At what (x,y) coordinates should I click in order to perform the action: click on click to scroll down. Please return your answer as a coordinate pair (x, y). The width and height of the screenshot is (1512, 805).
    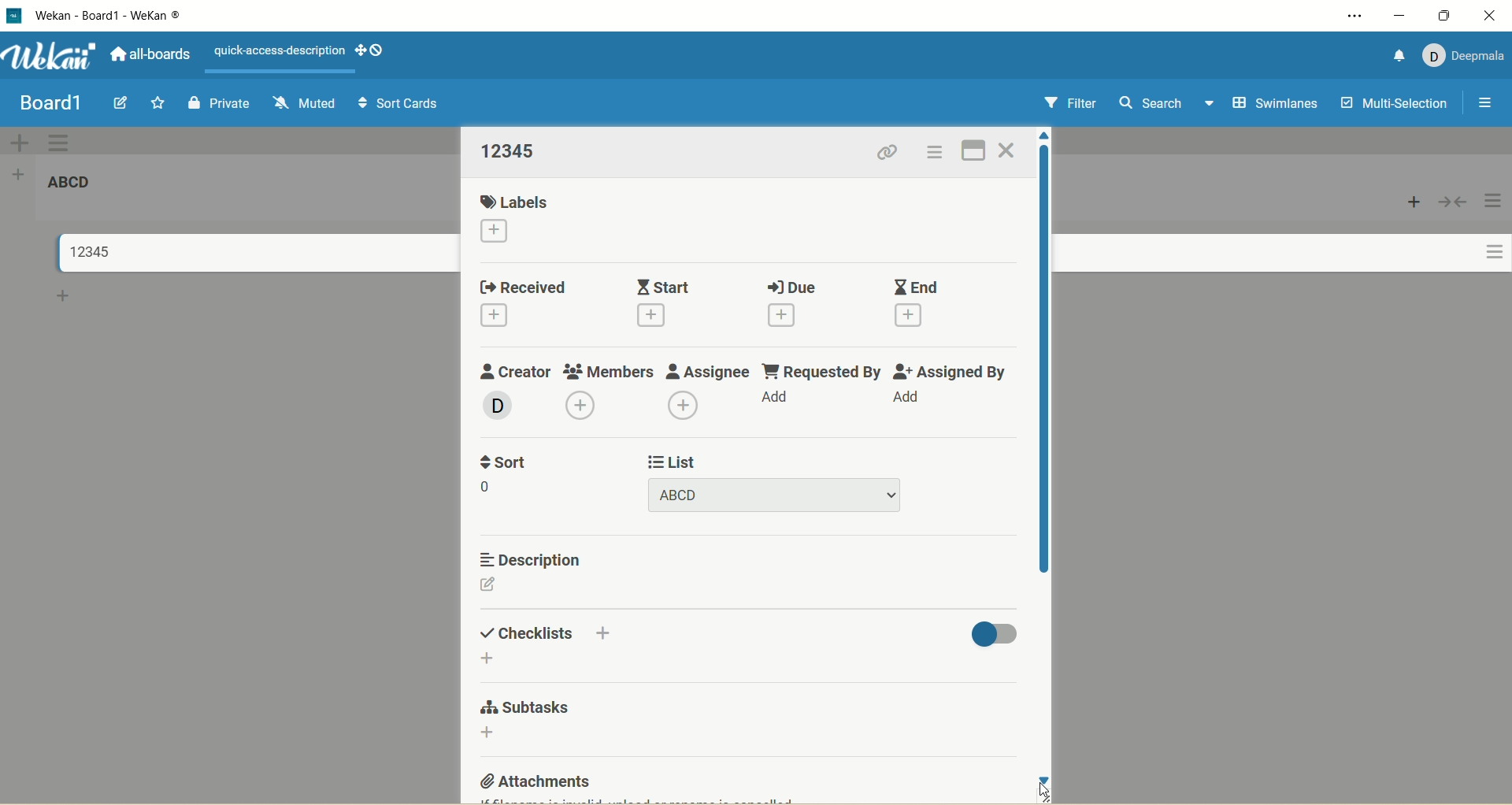
    Looking at the image, I should click on (1045, 779).